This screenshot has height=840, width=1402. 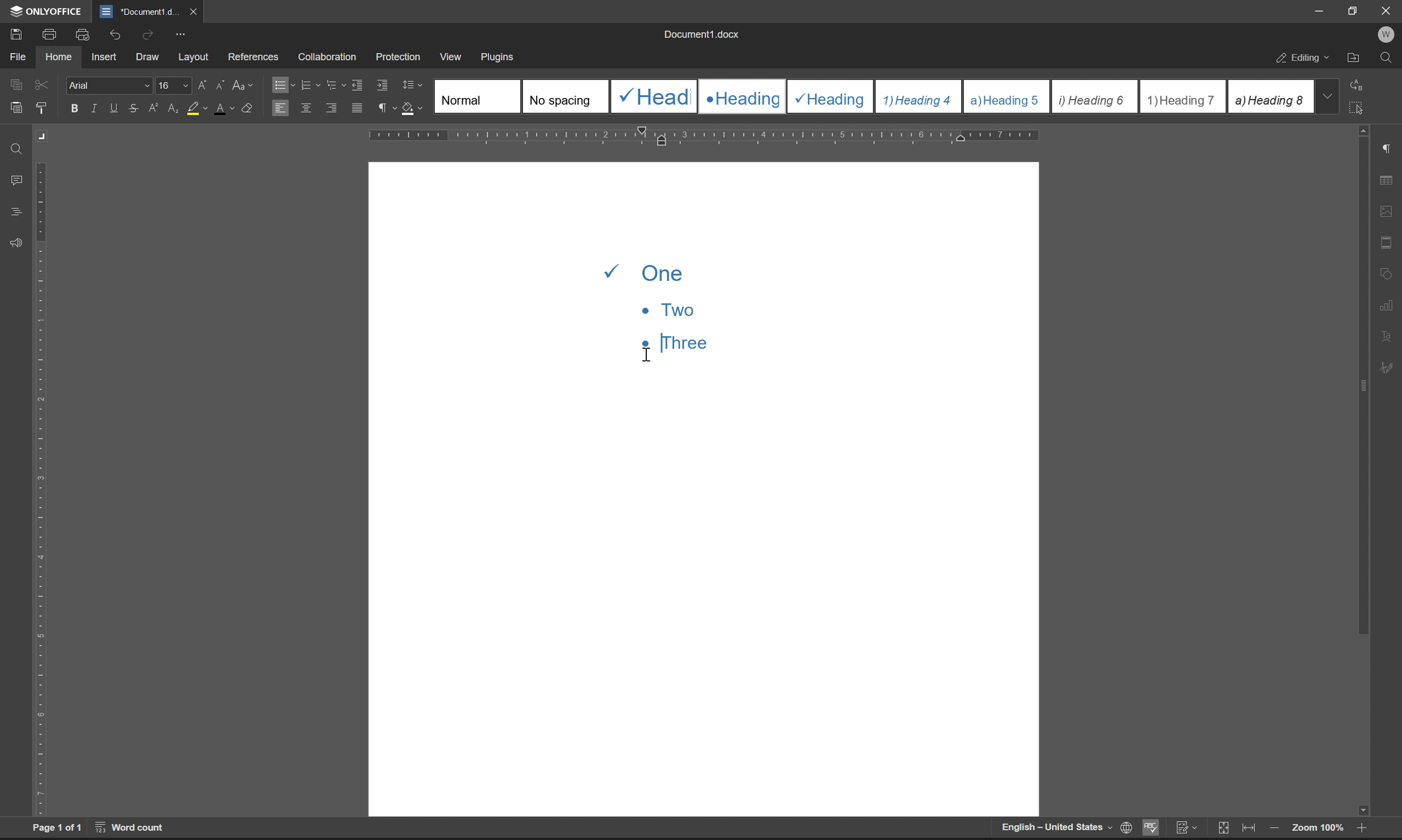 I want to click on superscript, so click(x=155, y=108).